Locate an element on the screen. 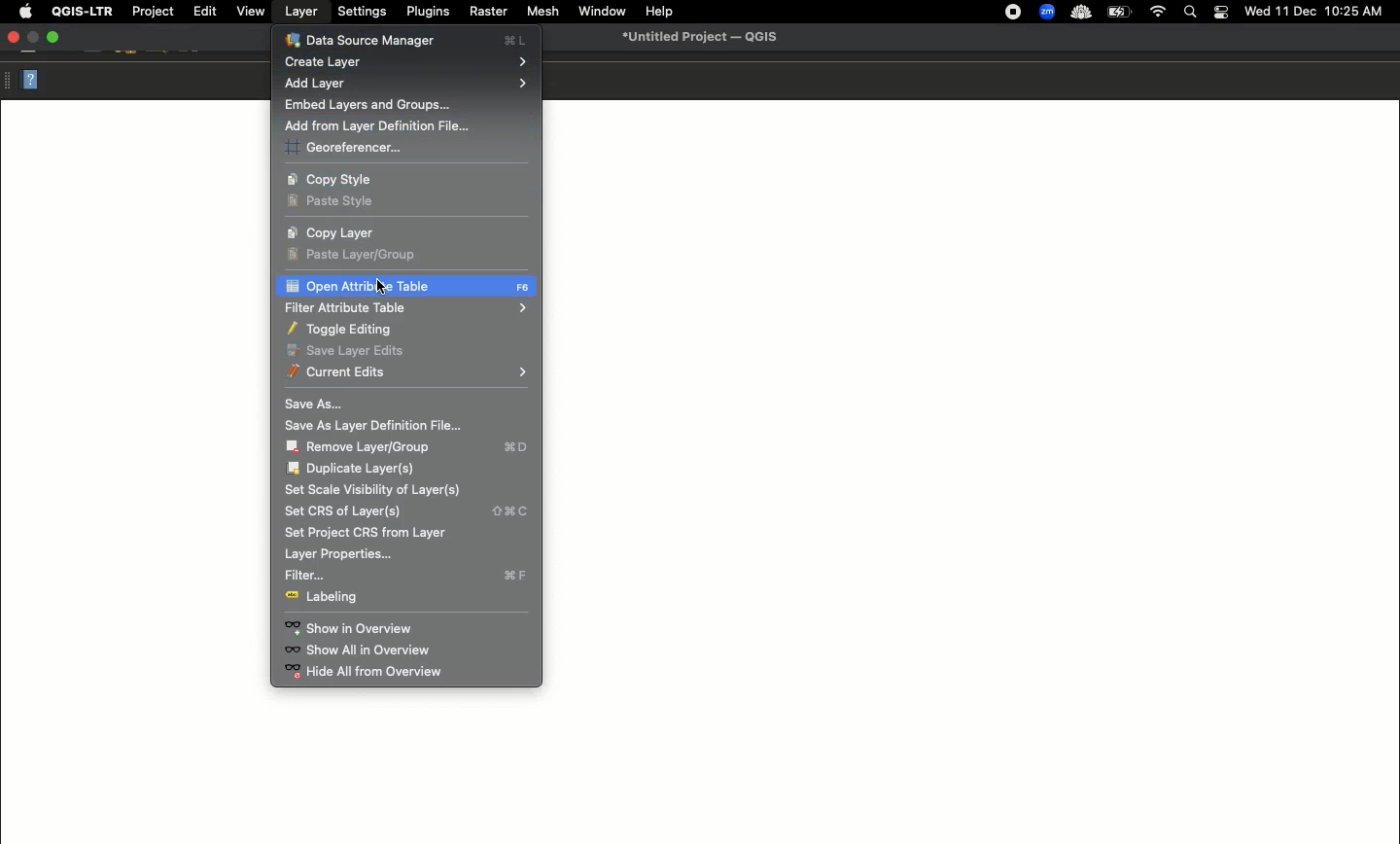 The height and width of the screenshot is (844, 1400). Paste layer group is located at coordinates (360, 254).